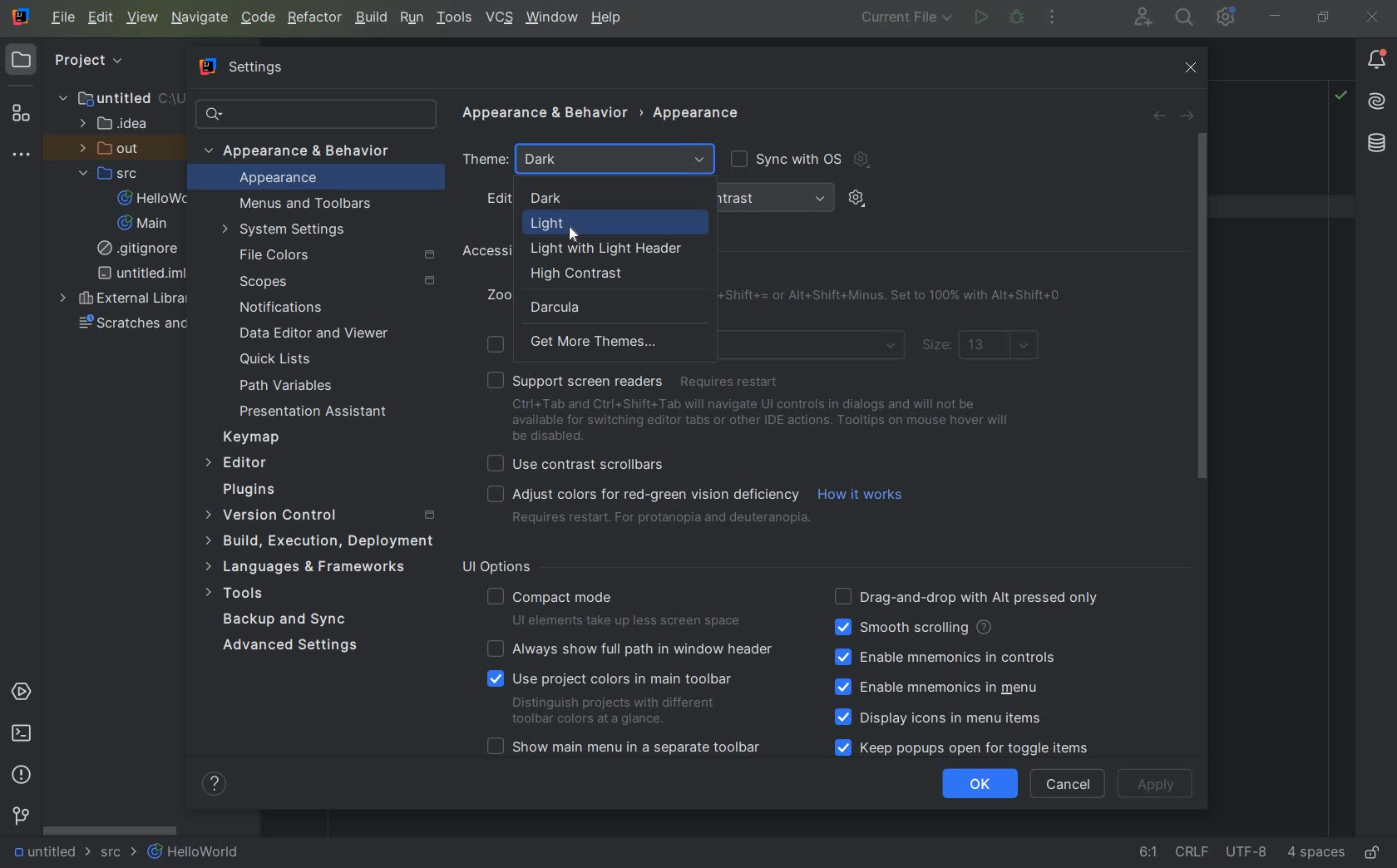 The height and width of the screenshot is (868, 1397). Describe the element at coordinates (1187, 116) in the screenshot. I see `FORWARD` at that location.